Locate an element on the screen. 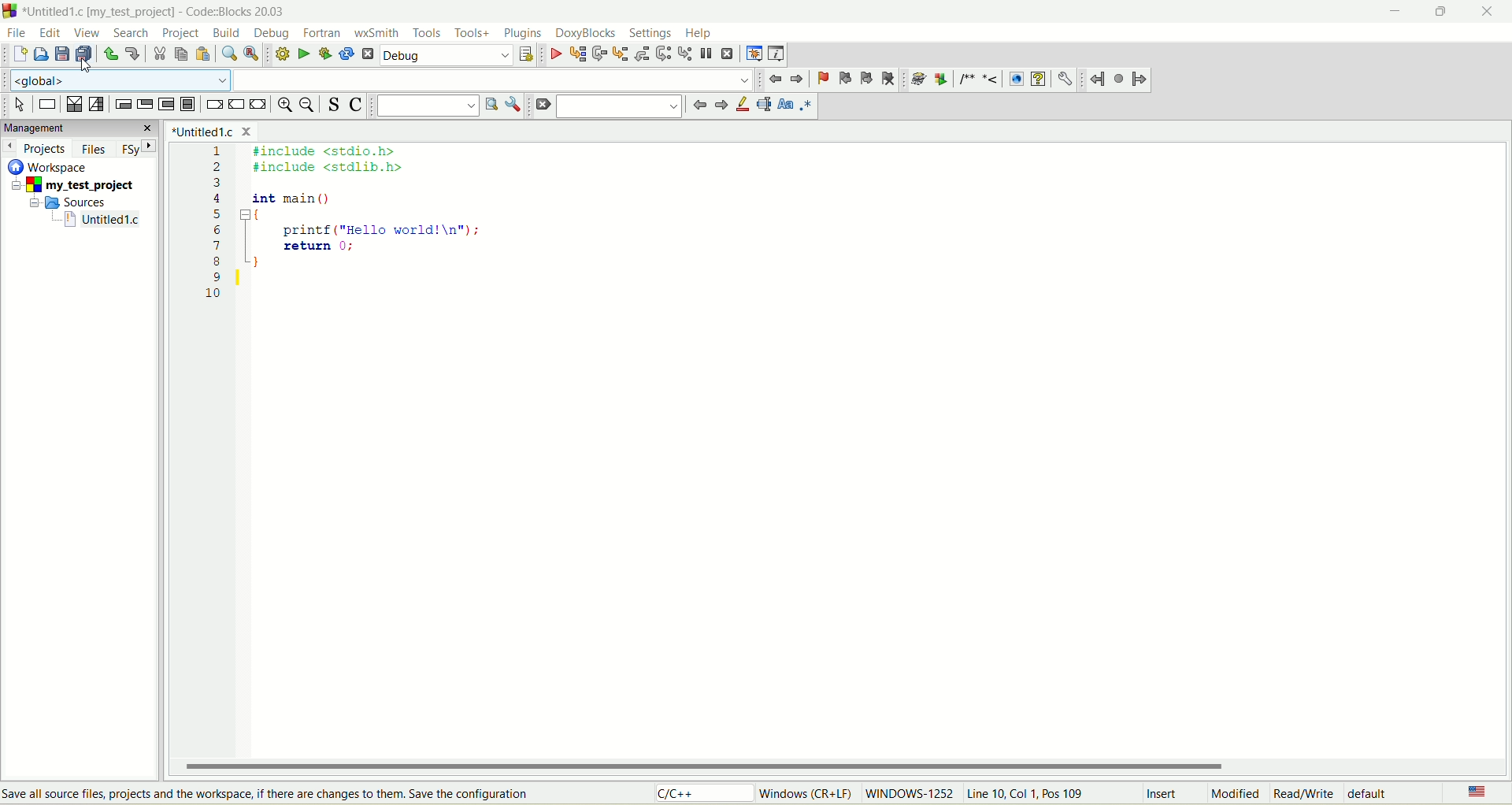 The image size is (1512, 805). various info is located at coordinates (778, 53).